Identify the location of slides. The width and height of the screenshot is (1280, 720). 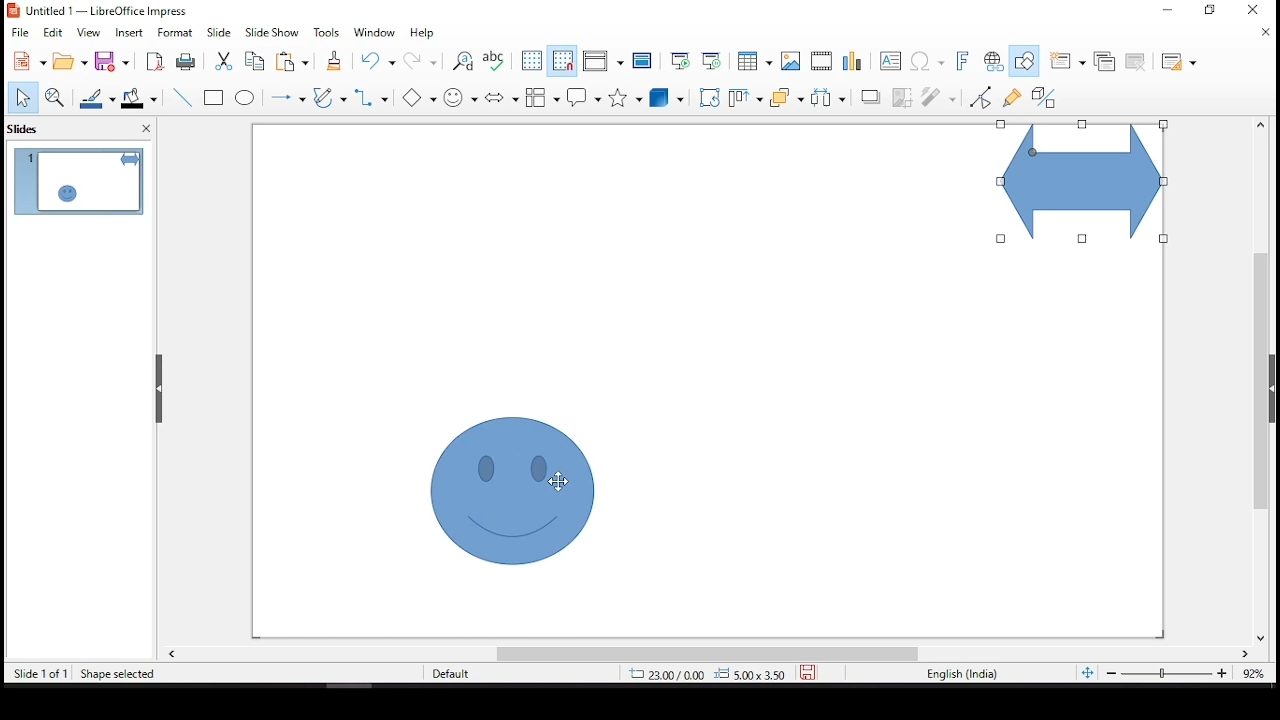
(29, 128).